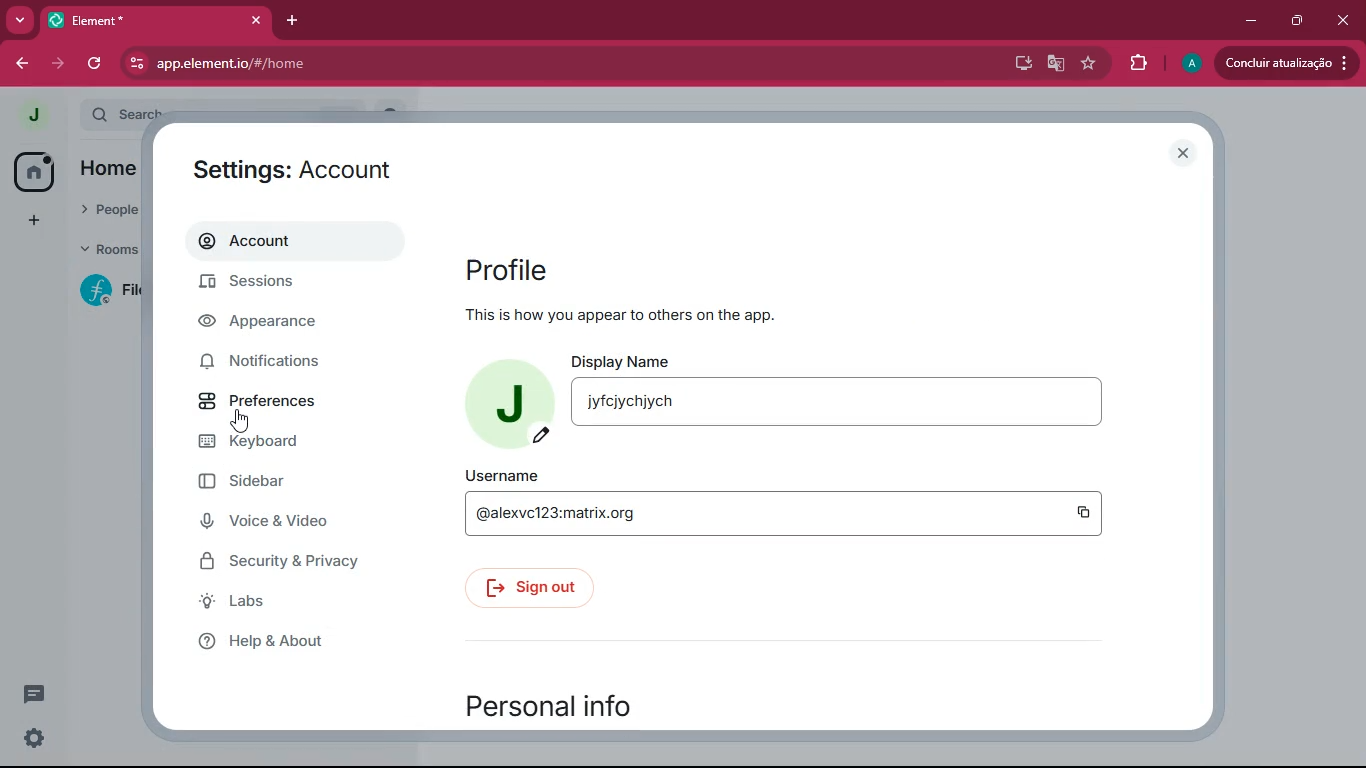  What do you see at coordinates (1250, 22) in the screenshot?
I see `minimize` at bounding box center [1250, 22].